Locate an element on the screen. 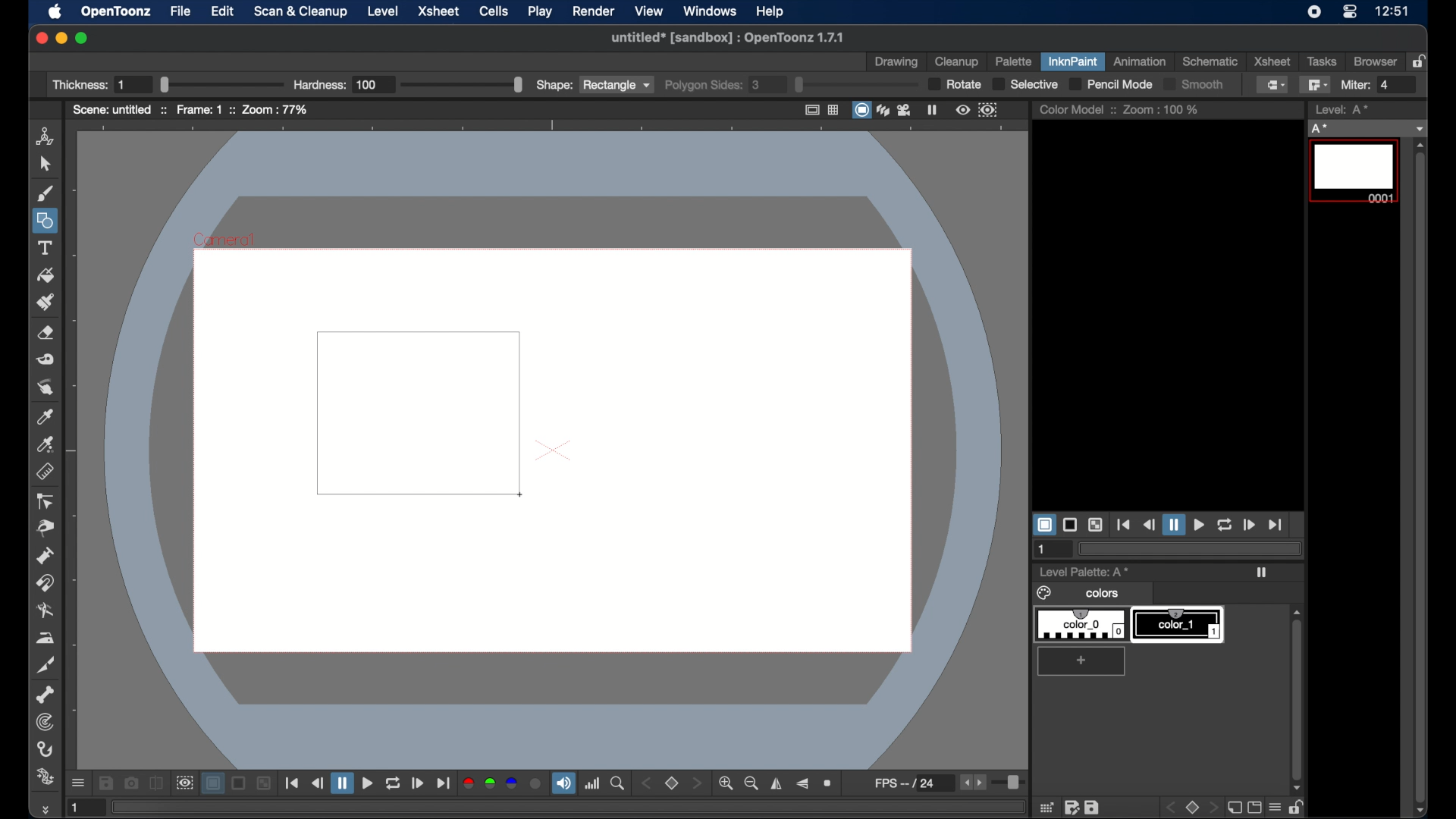 The image size is (1456, 819). polyline fill tool is located at coordinates (1315, 84).